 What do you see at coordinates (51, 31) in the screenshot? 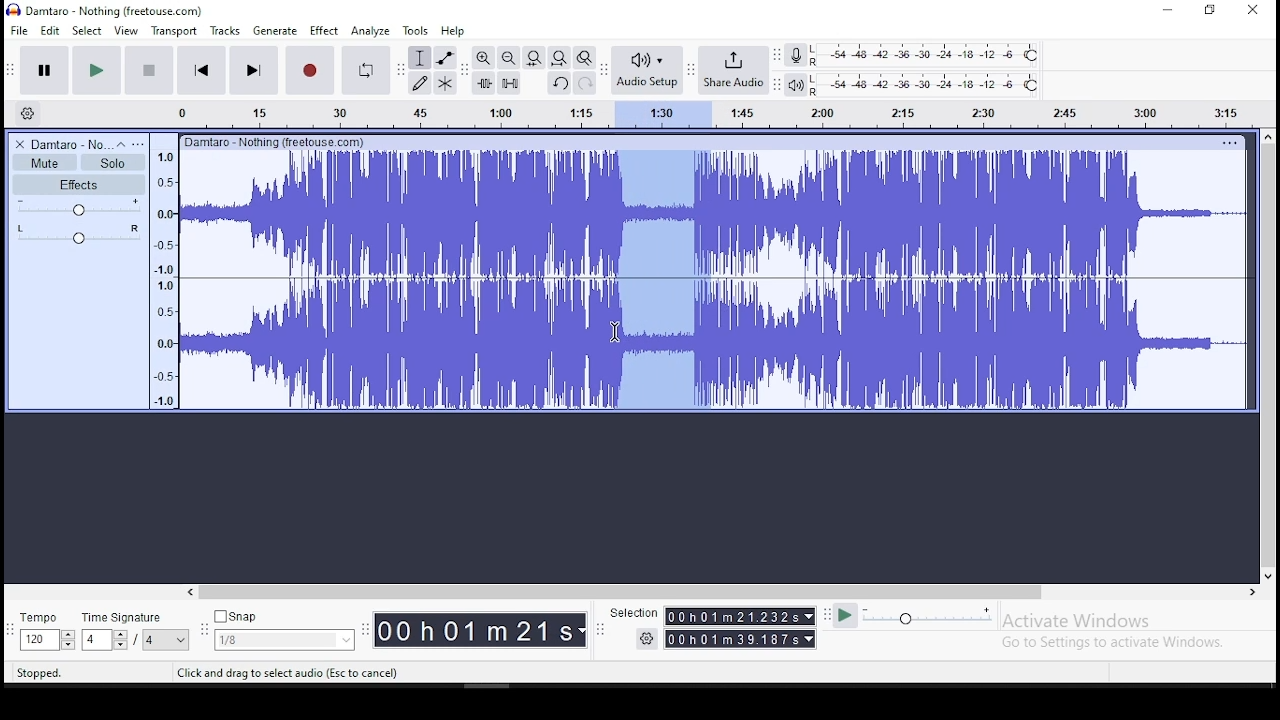
I see `edit` at bounding box center [51, 31].